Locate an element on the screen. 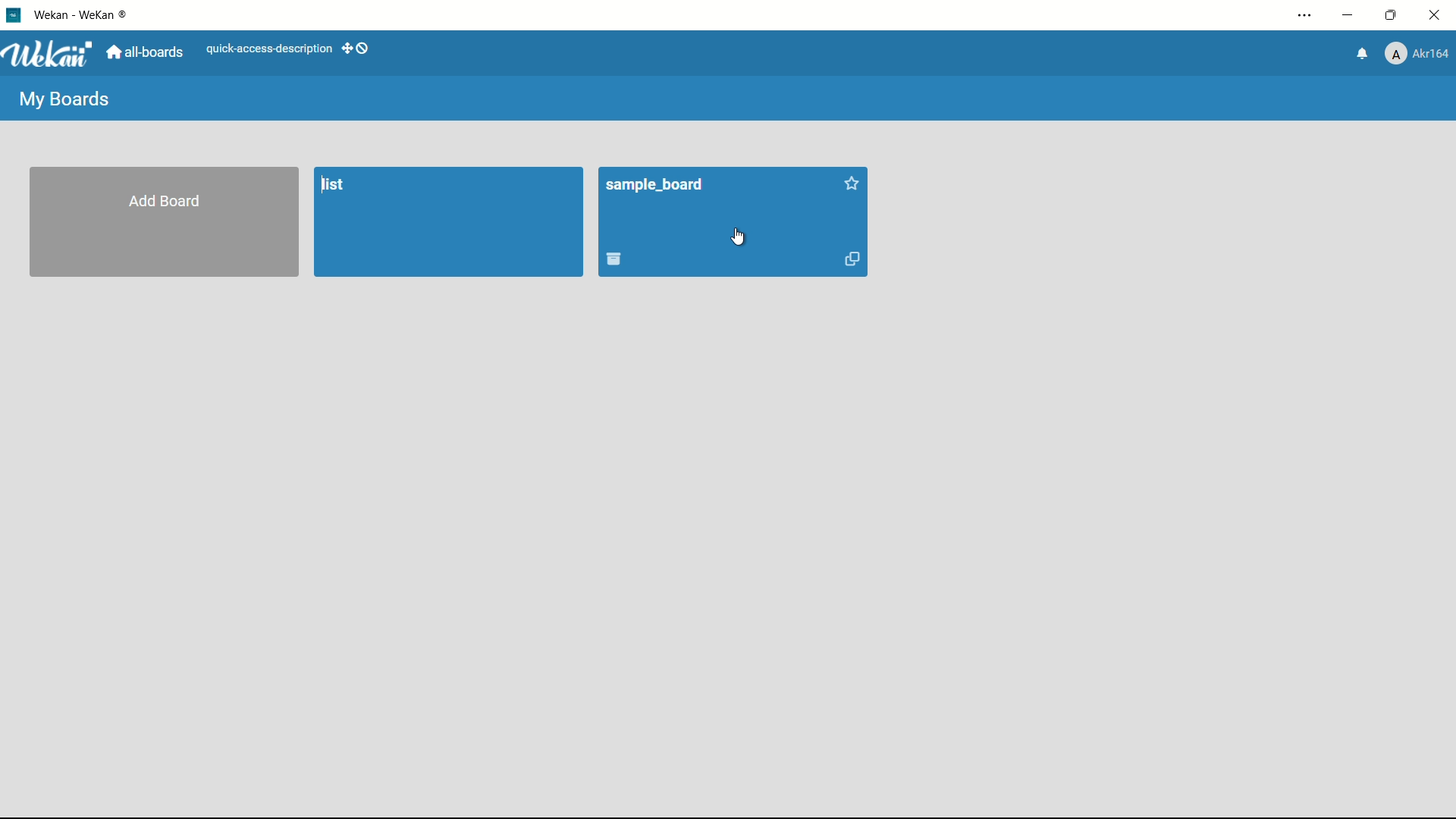  app name is located at coordinates (83, 16).